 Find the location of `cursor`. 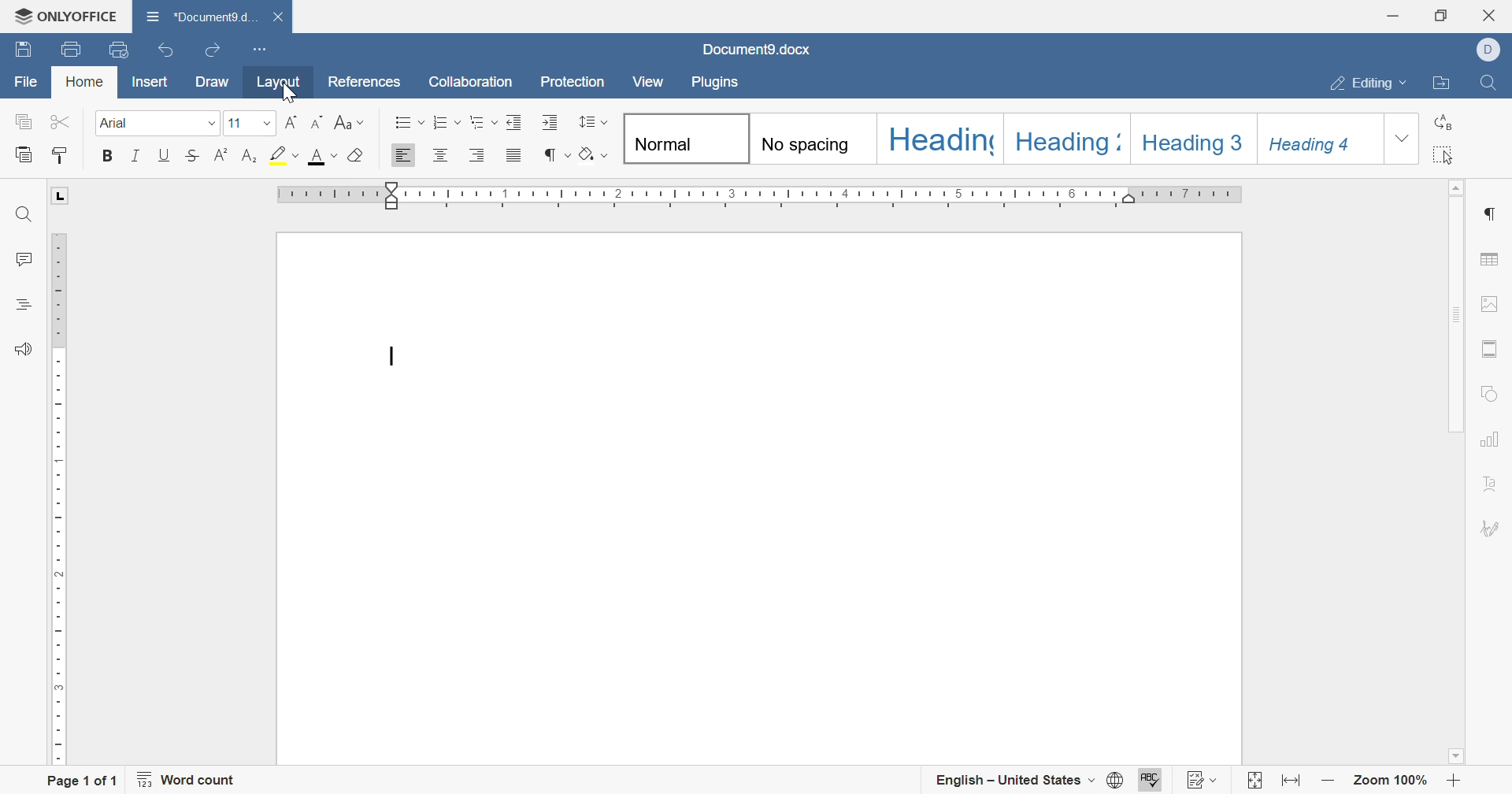

cursor is located at coordinates (287, 97).